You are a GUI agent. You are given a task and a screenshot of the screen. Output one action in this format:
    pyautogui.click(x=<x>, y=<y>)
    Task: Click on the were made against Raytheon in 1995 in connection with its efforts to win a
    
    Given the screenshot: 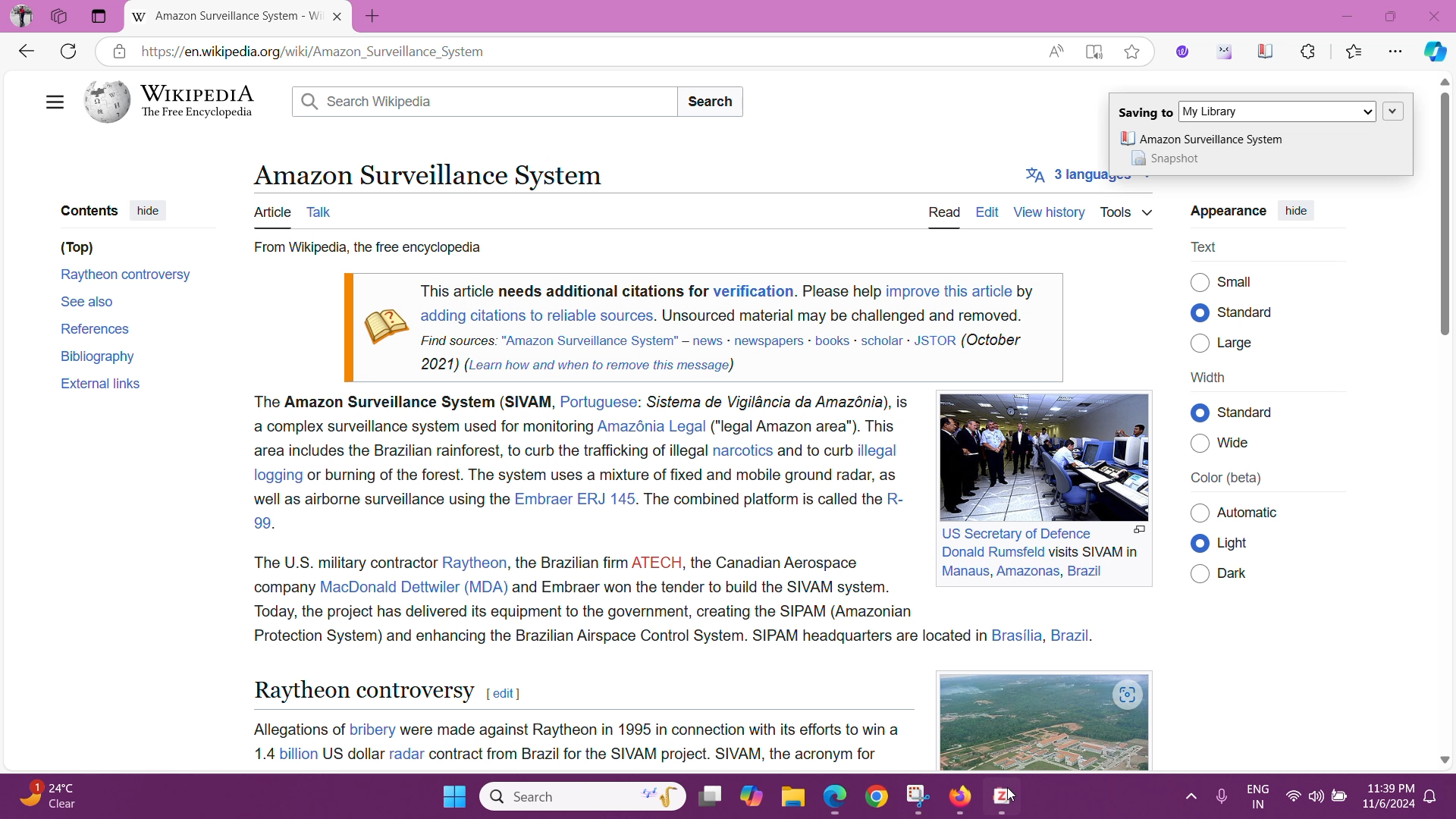 What is the action you would take?
    pyautogui.click(x=651, y=730)
    